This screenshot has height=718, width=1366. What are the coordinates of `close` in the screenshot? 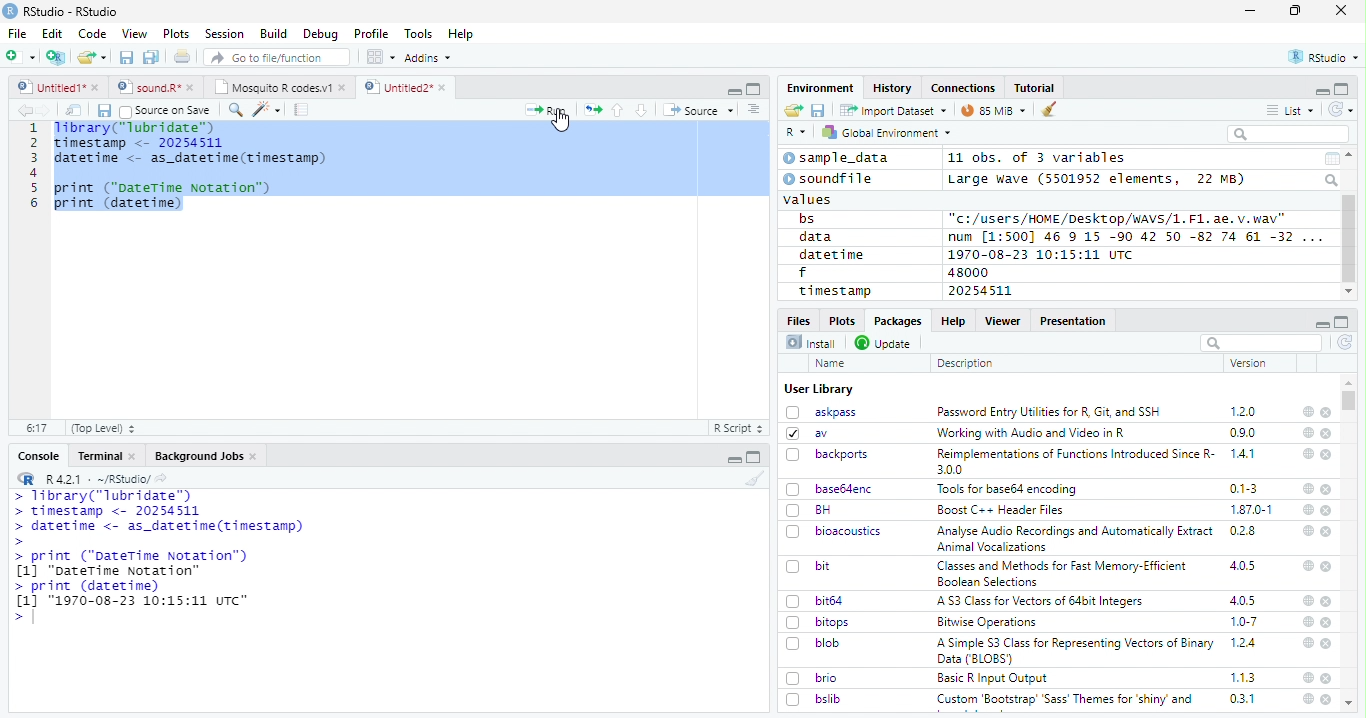 It's located at (1327, 455).